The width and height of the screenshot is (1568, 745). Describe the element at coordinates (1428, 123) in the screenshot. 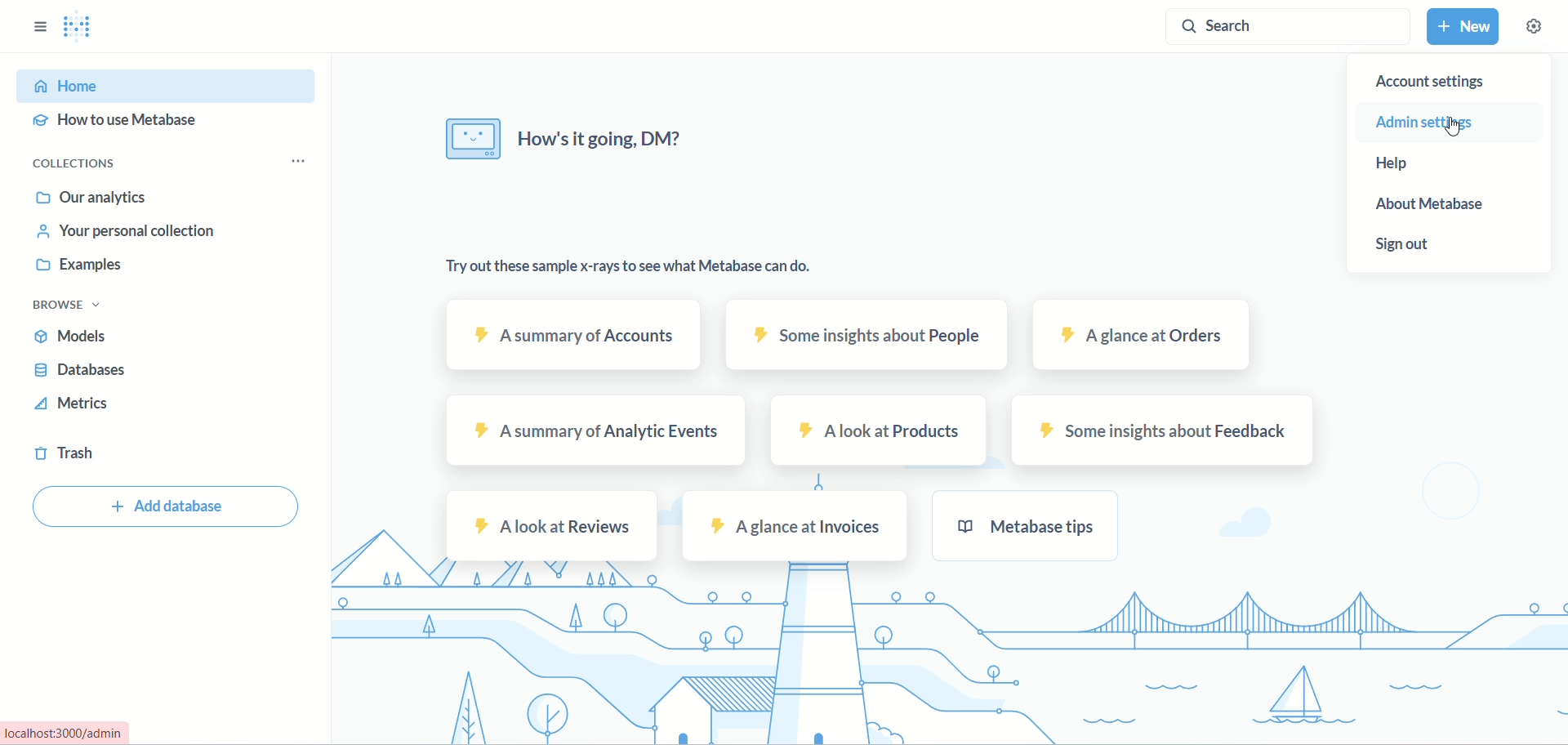

I see `admin settings` at that location.